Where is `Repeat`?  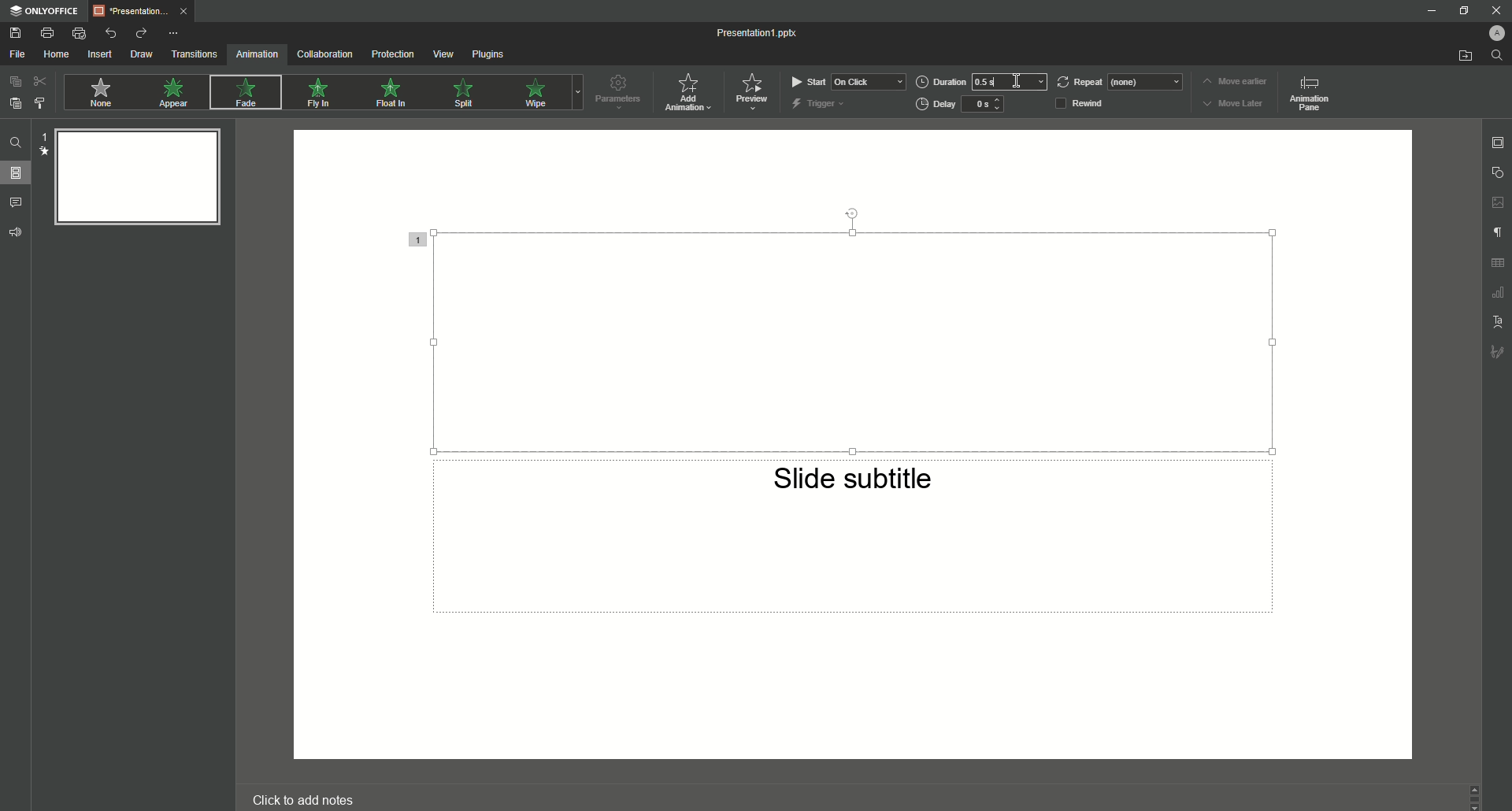 Repeat is located at coordinates (1118, 79).